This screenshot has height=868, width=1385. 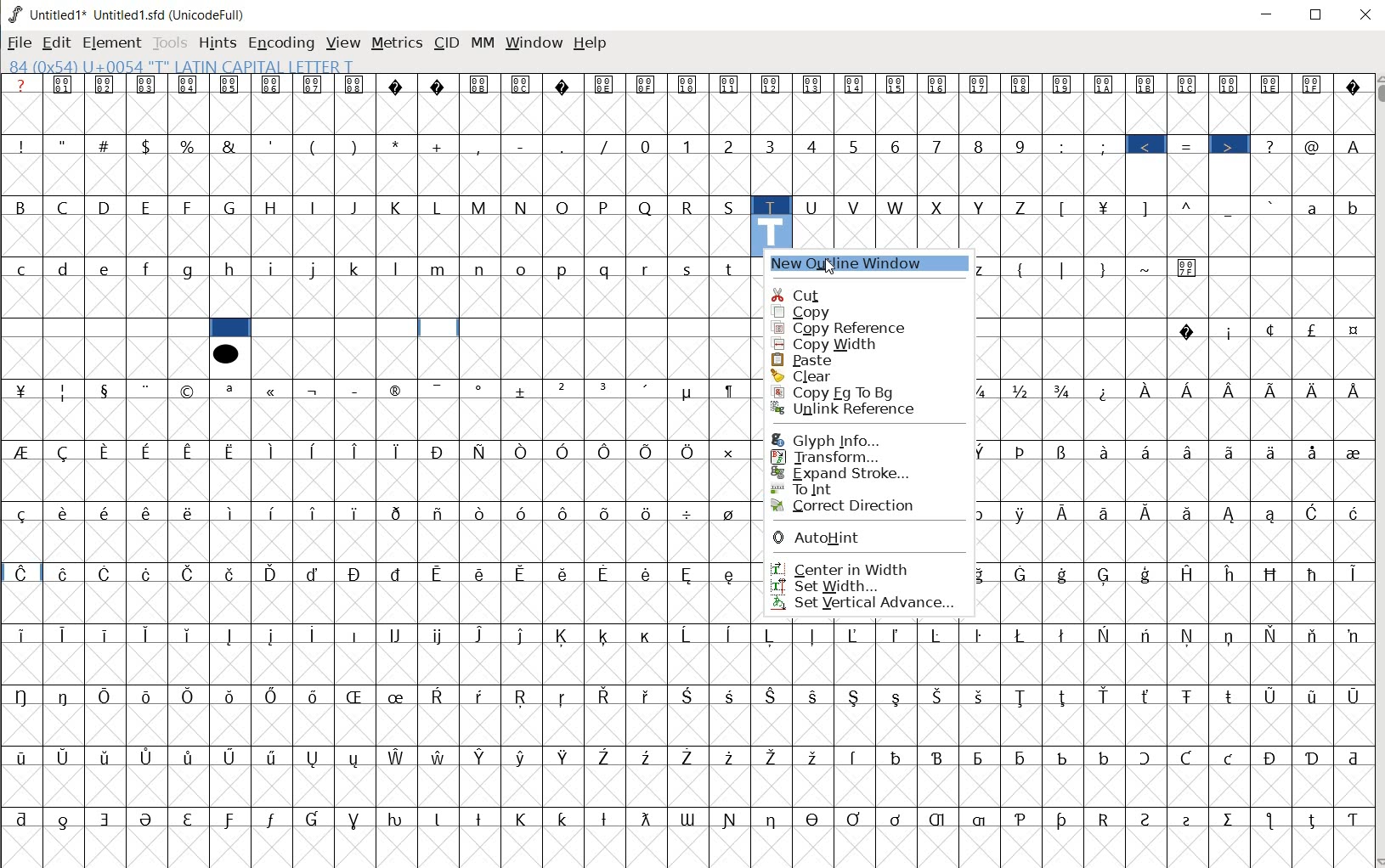 I want to click on Expand Stroke, so click(x=845, y=472).